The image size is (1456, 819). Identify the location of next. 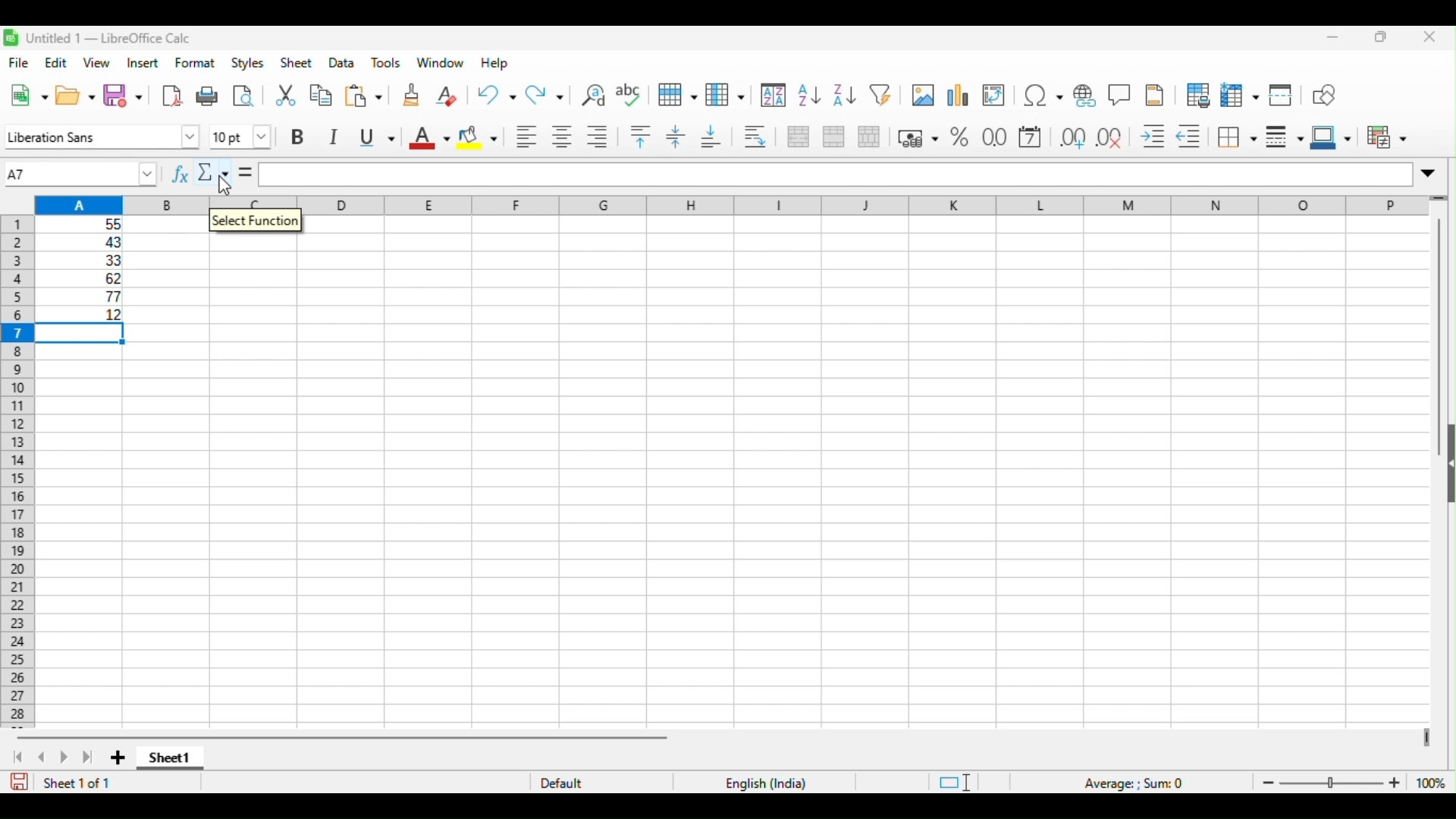
(63, 758).